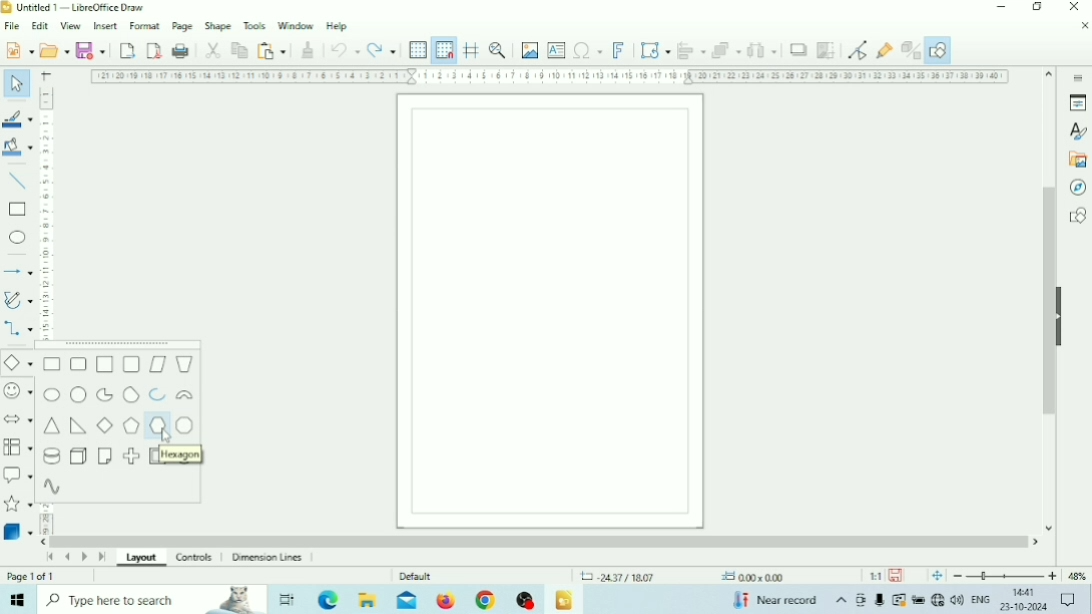  What do you see at coordinates (525, 600) in the screenshot?
I see `OBS Studio` at bounding box center [525, 600].